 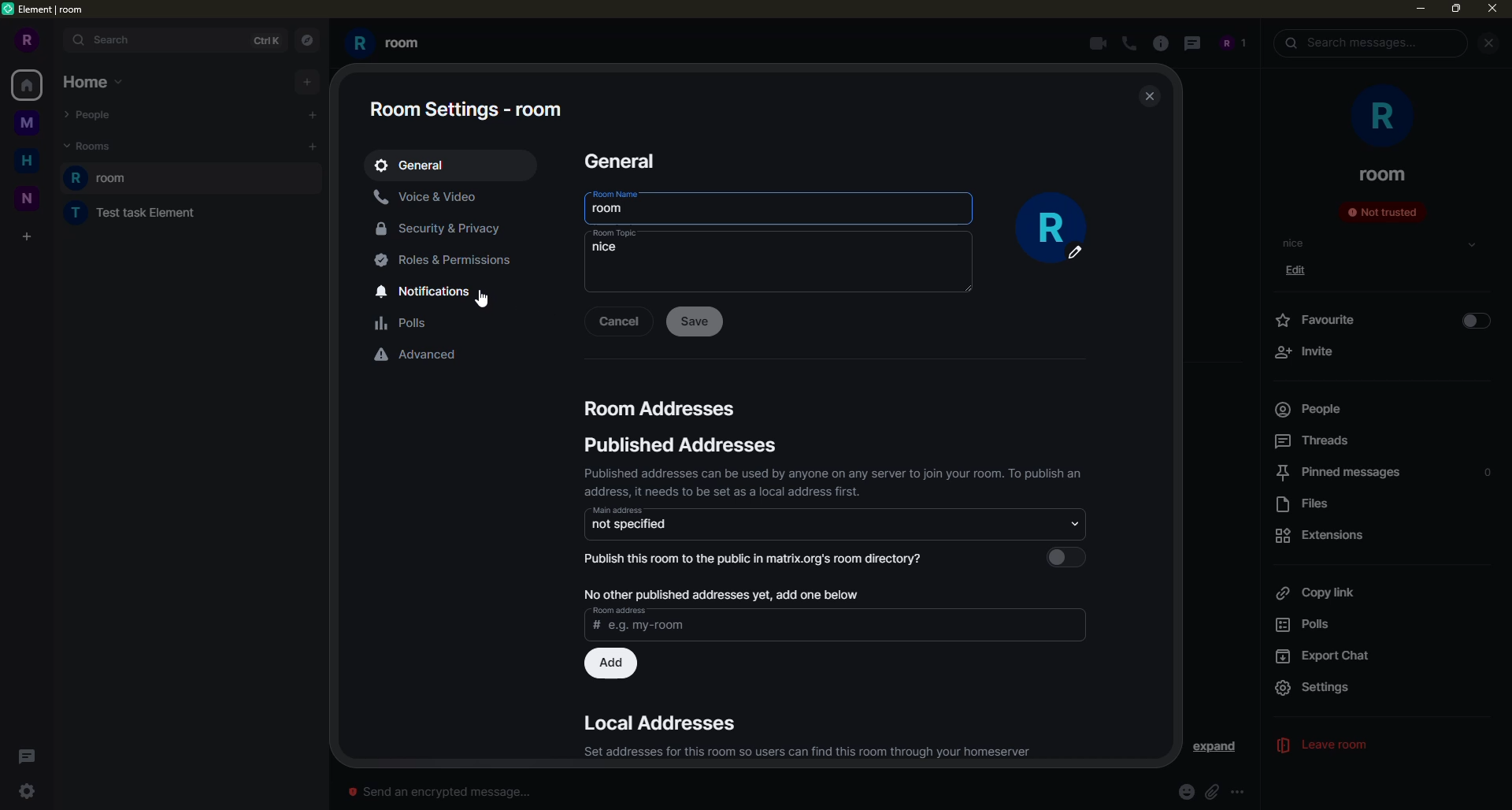 I want to click on people, so click(x=1307, y=409).